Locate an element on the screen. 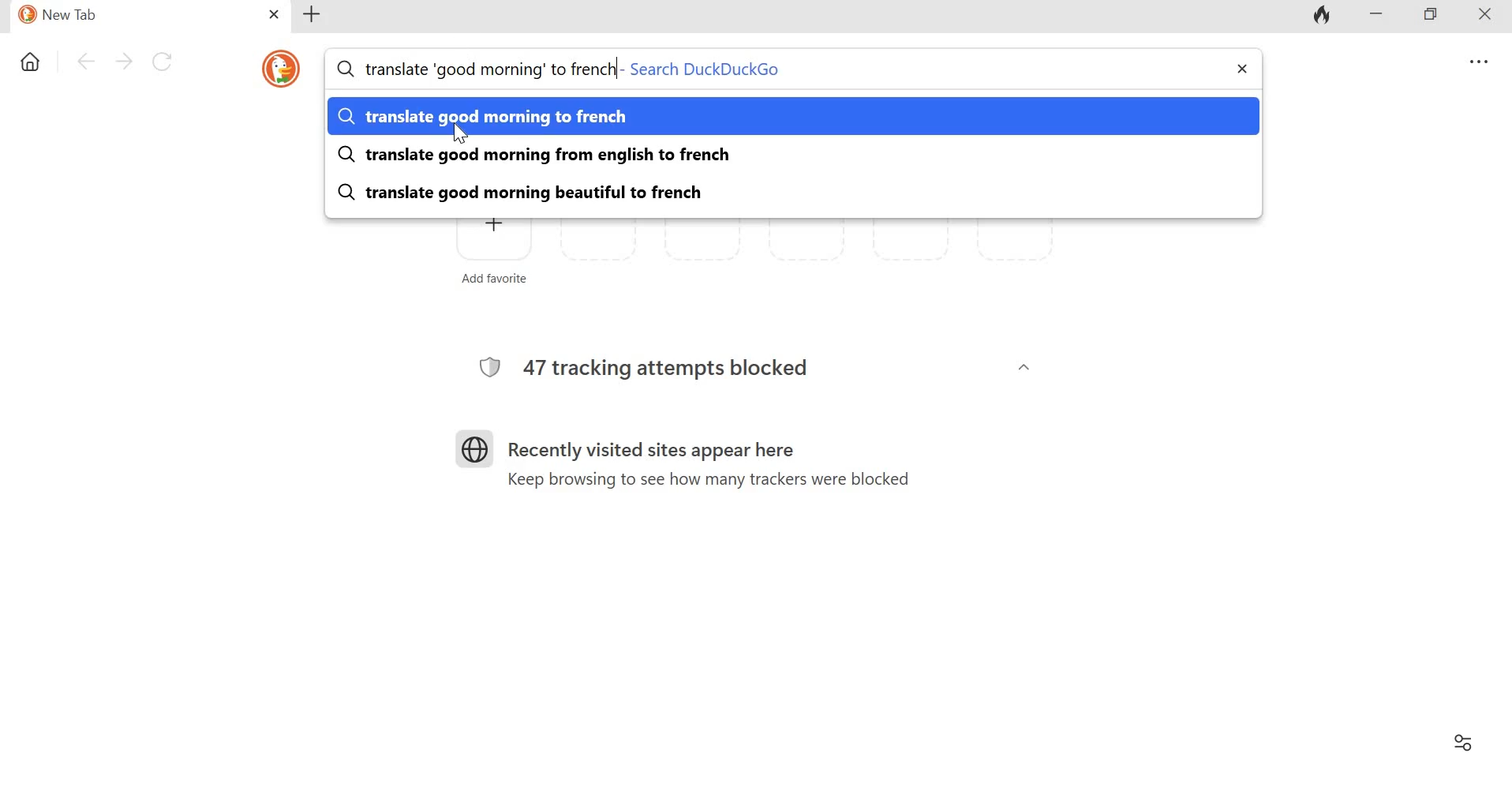  Maximize is located at coordinates (1433, 15).